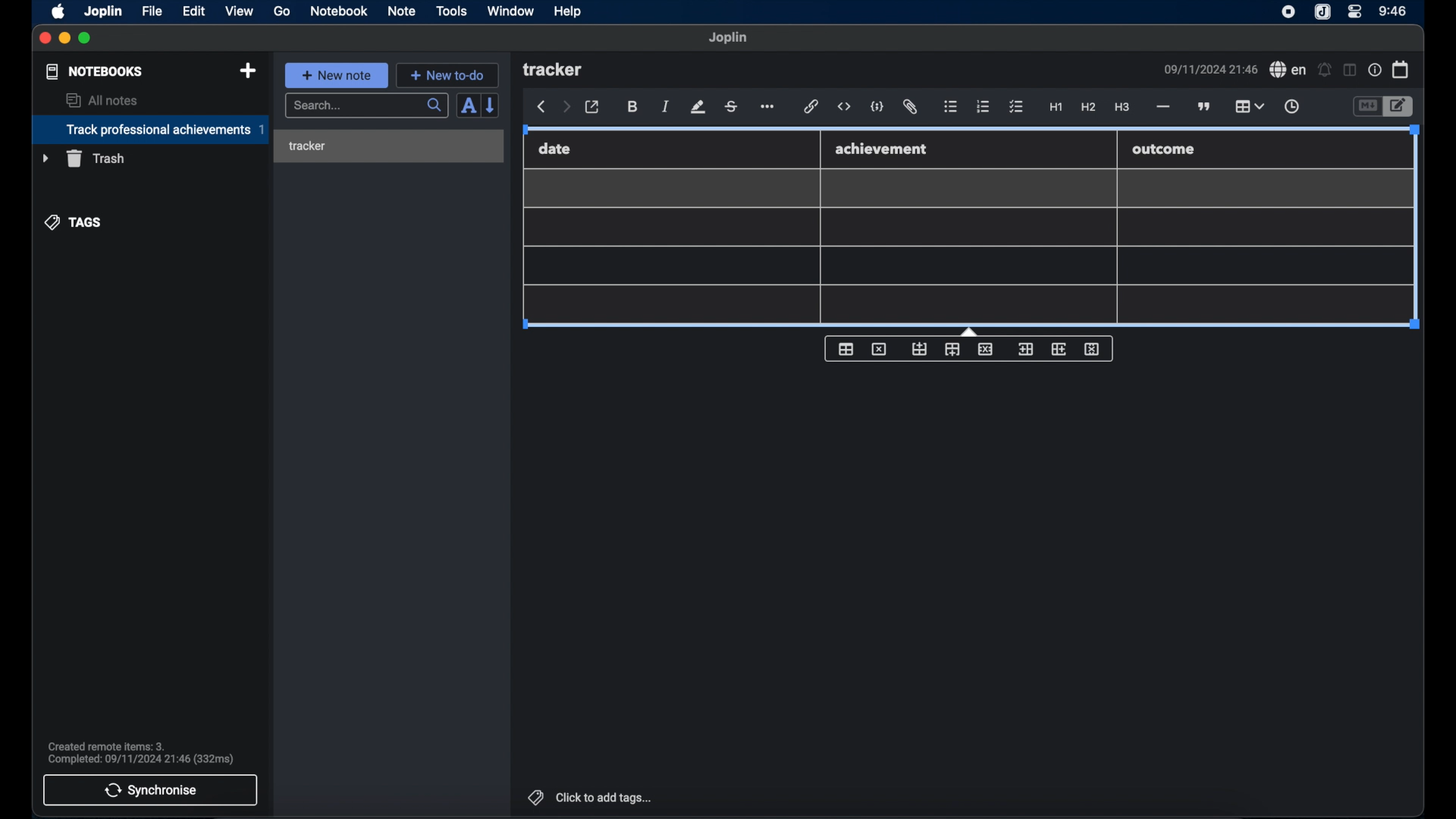 Image resolution: width=1456 pixels, height=819 pixels. What do you see at coordinates (45, 38) in the screenshot?
I see `close` at bounding box center [45, 38].